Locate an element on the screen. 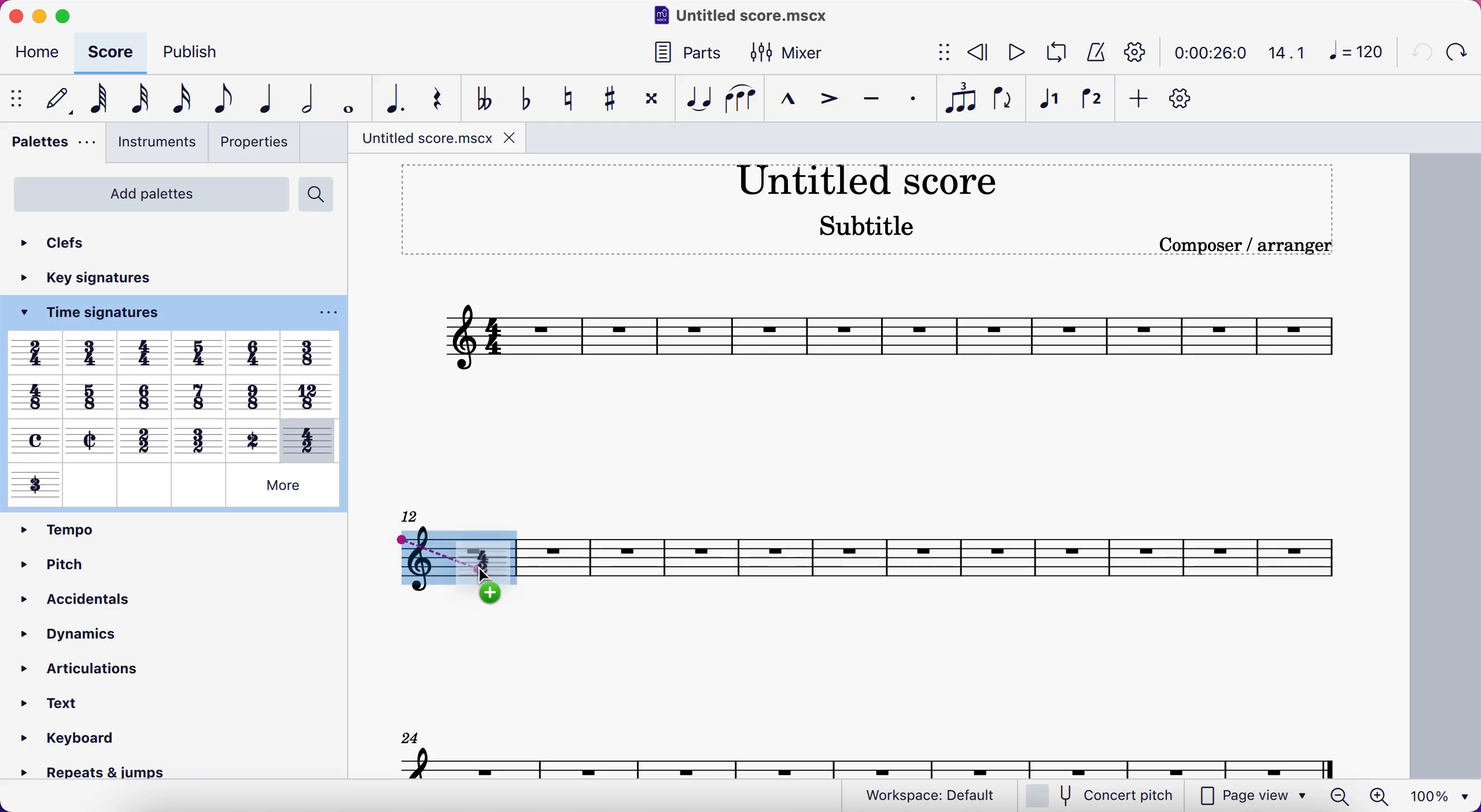   is located at coordinates (253, 438).